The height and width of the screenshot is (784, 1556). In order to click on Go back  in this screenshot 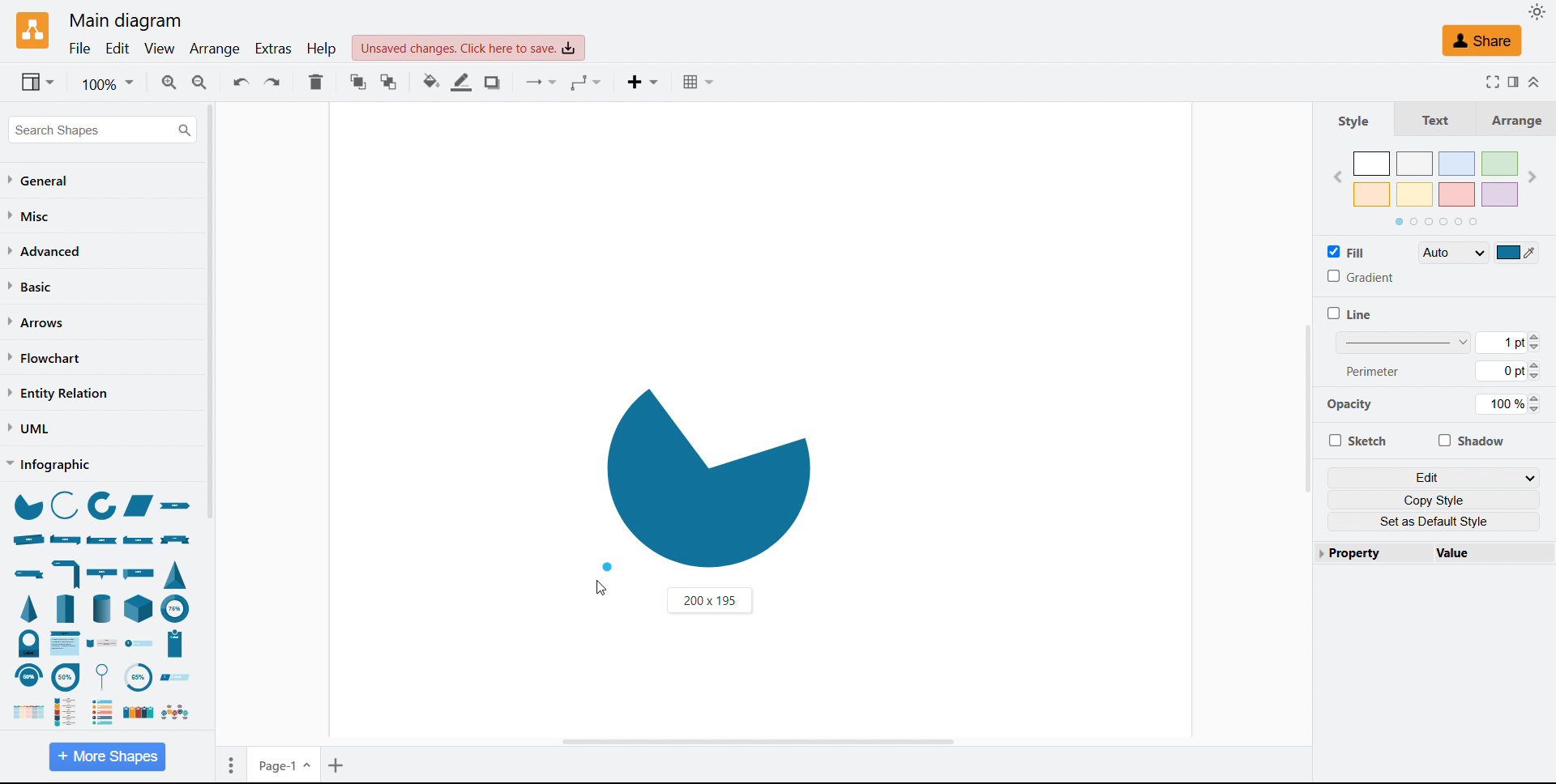, I will do `click(1337, 178)`.